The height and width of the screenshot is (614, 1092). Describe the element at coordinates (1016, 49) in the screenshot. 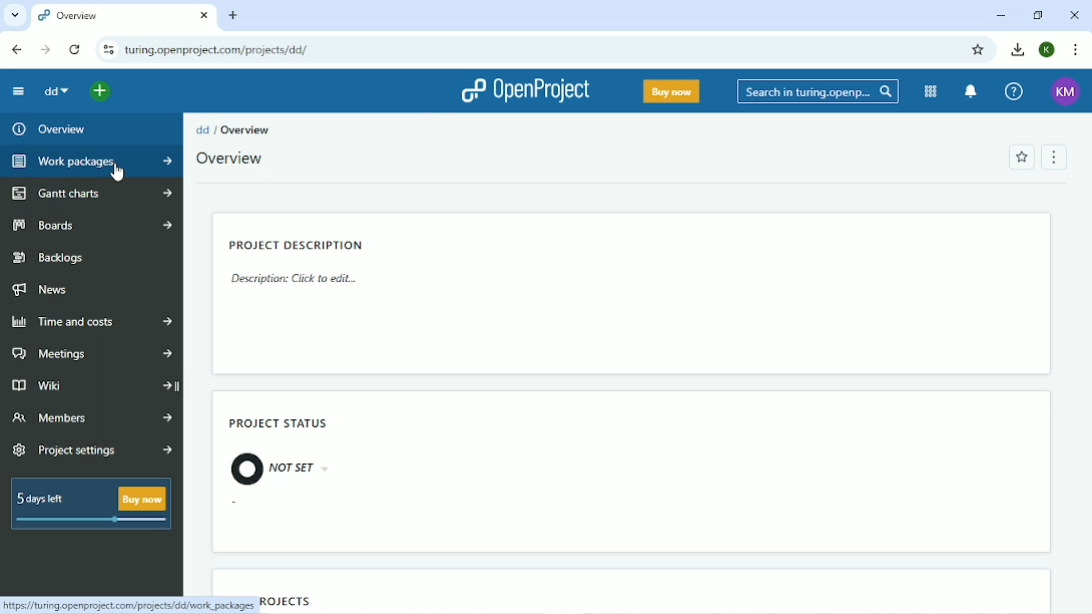

I see `Download` at that location.